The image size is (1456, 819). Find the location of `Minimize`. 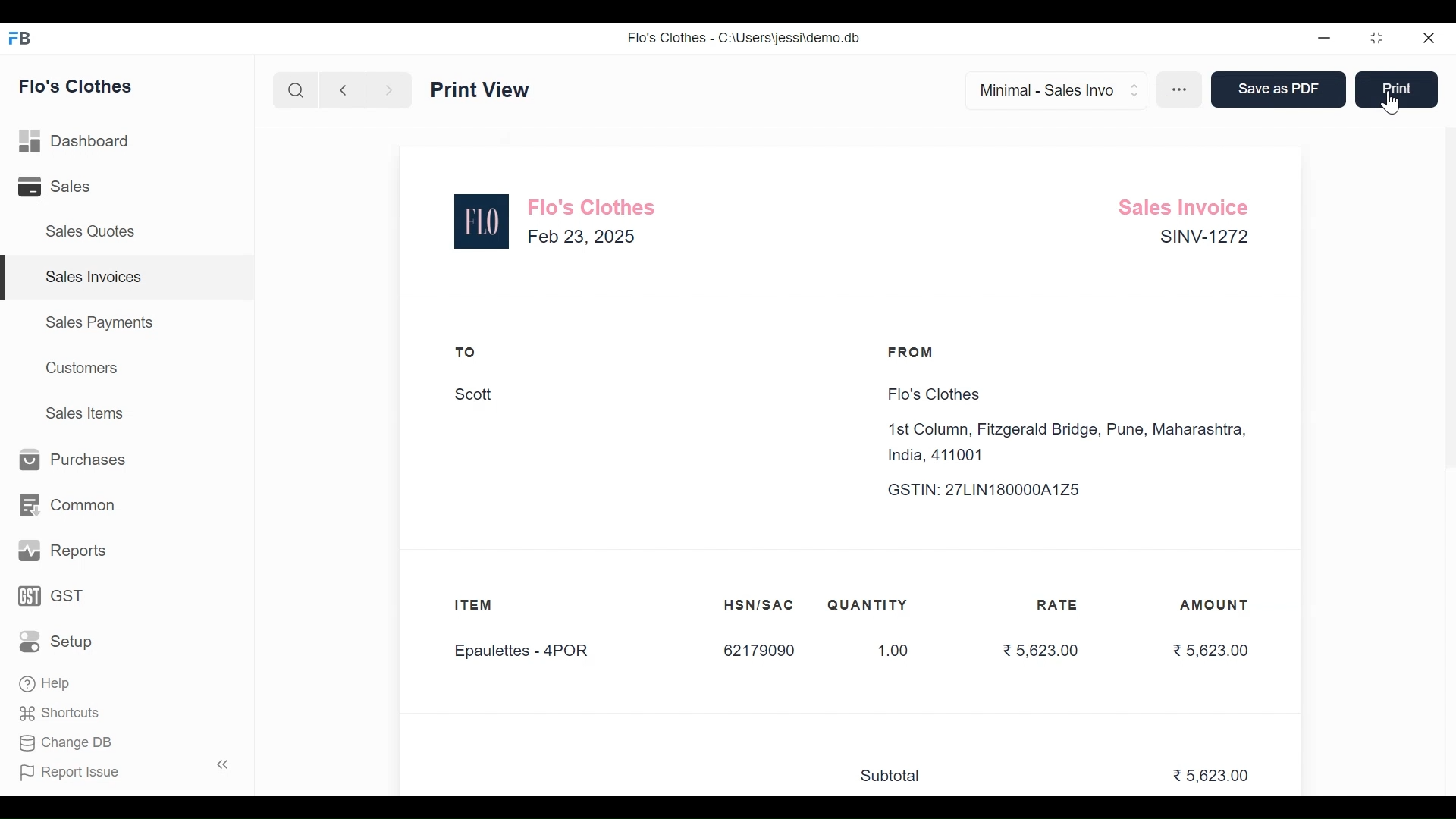

Minimize is located at coordinates (1325, 39).